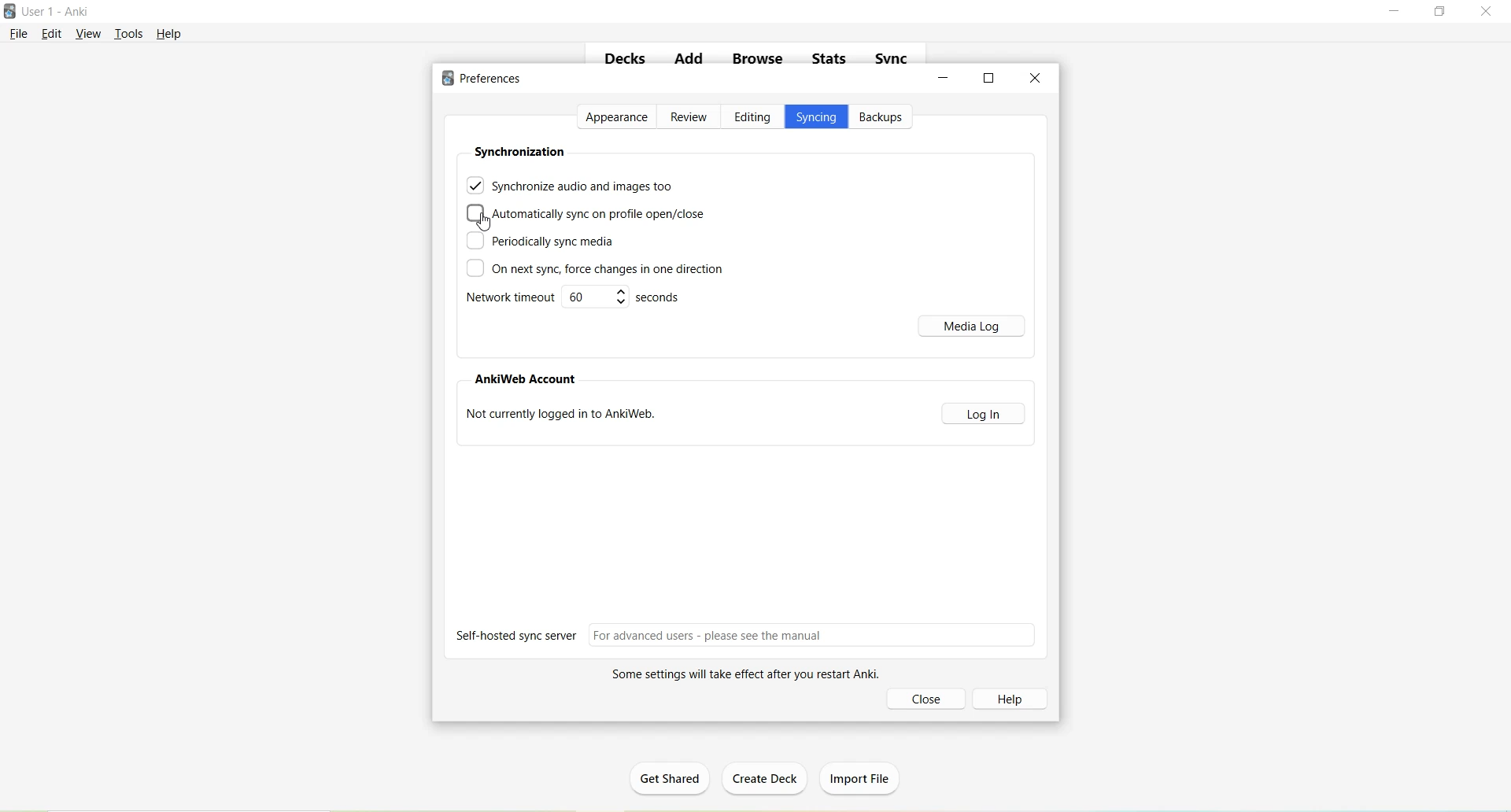  Describe the element at coordinates (486, 79) in the screenshot. I see `Preferences` at that location.